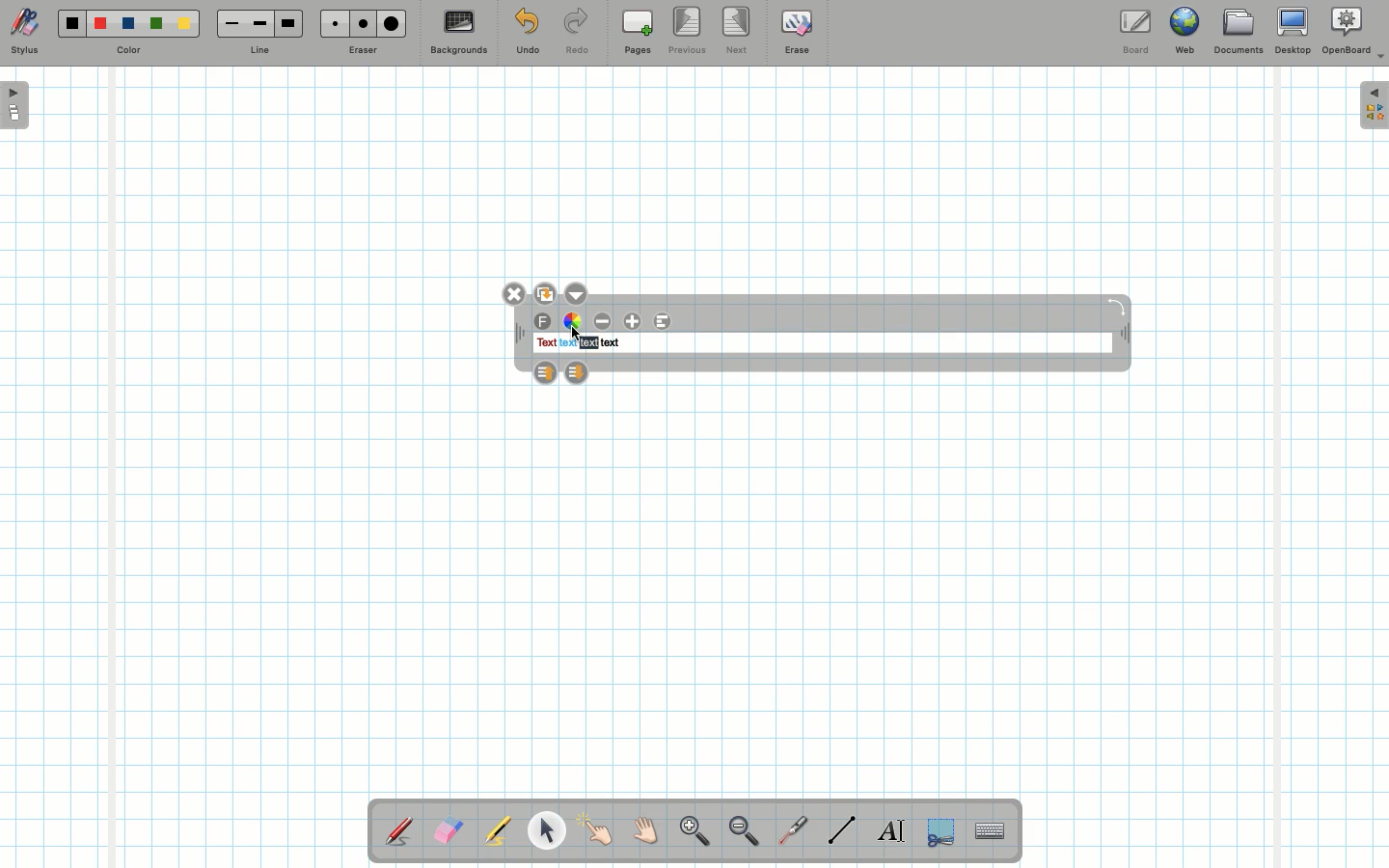  Describe the element at coordinates (666, 322) in the screenshot. I see `Alignment` at that location.